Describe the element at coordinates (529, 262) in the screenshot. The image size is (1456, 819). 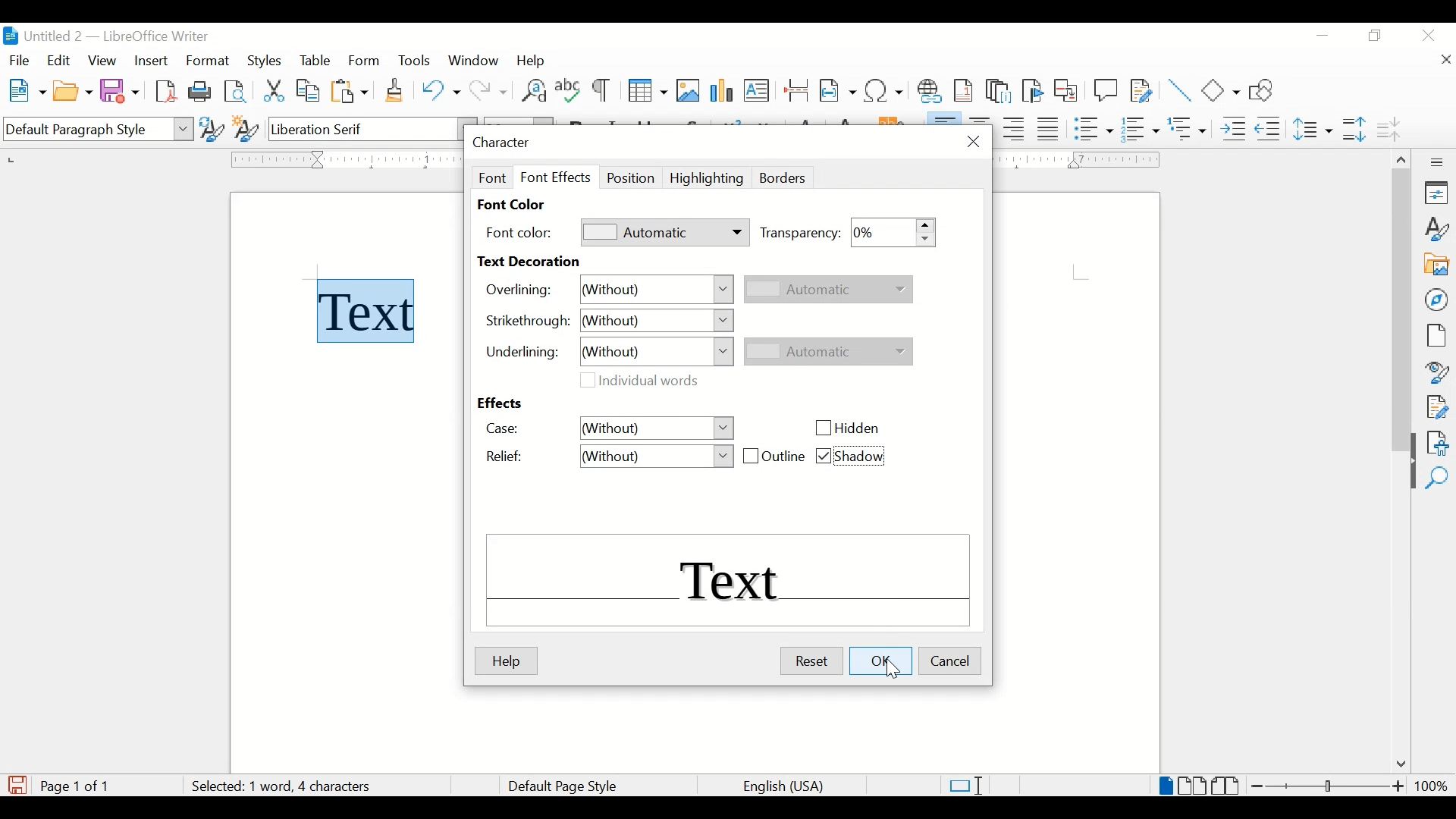
I see `text decoration` at that location.